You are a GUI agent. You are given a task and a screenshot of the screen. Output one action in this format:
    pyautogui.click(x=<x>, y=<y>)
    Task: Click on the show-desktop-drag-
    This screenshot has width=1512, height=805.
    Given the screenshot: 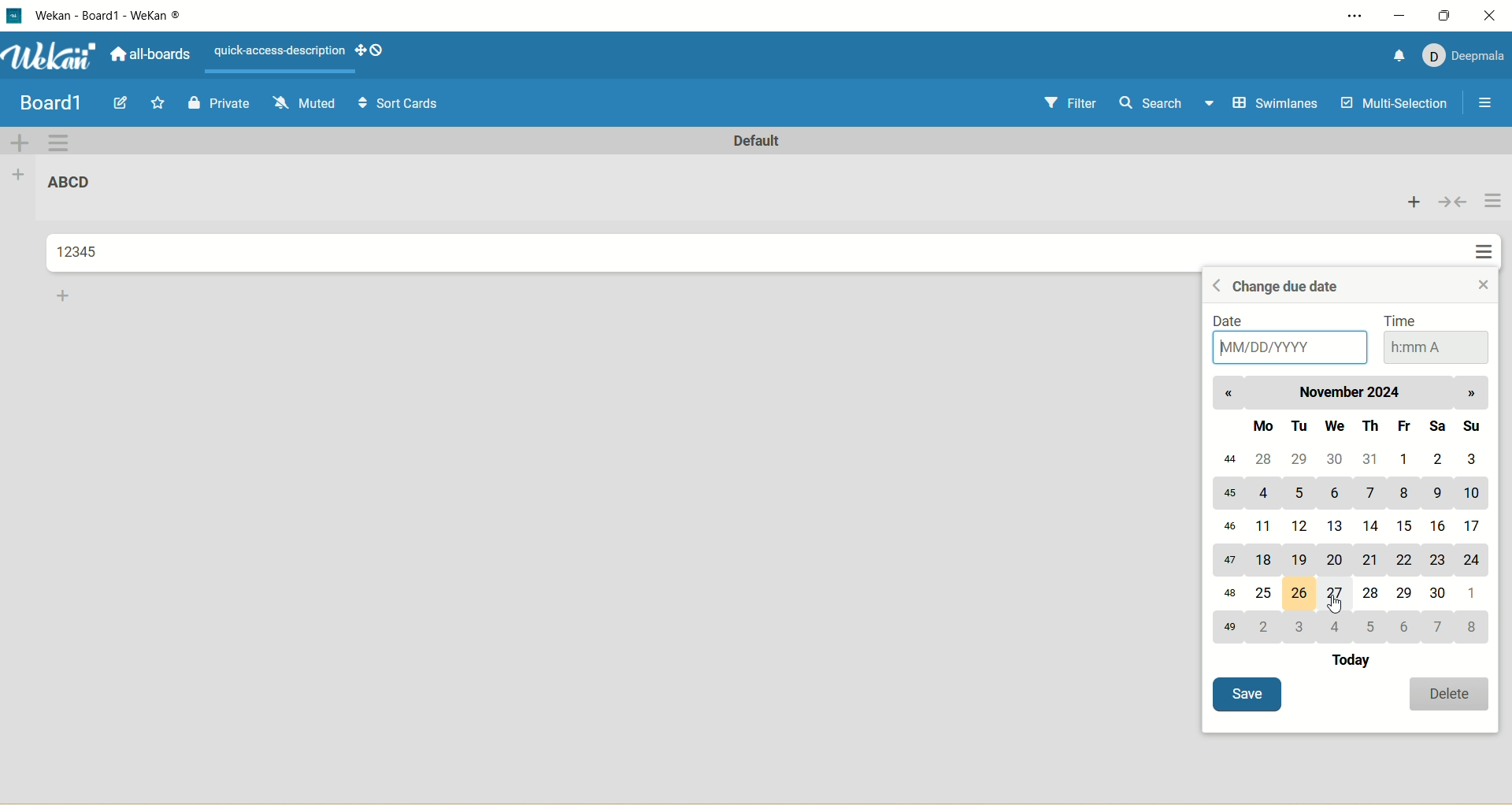 What is the action you would take?
    pyautogui.click(x=370, y=50)
    